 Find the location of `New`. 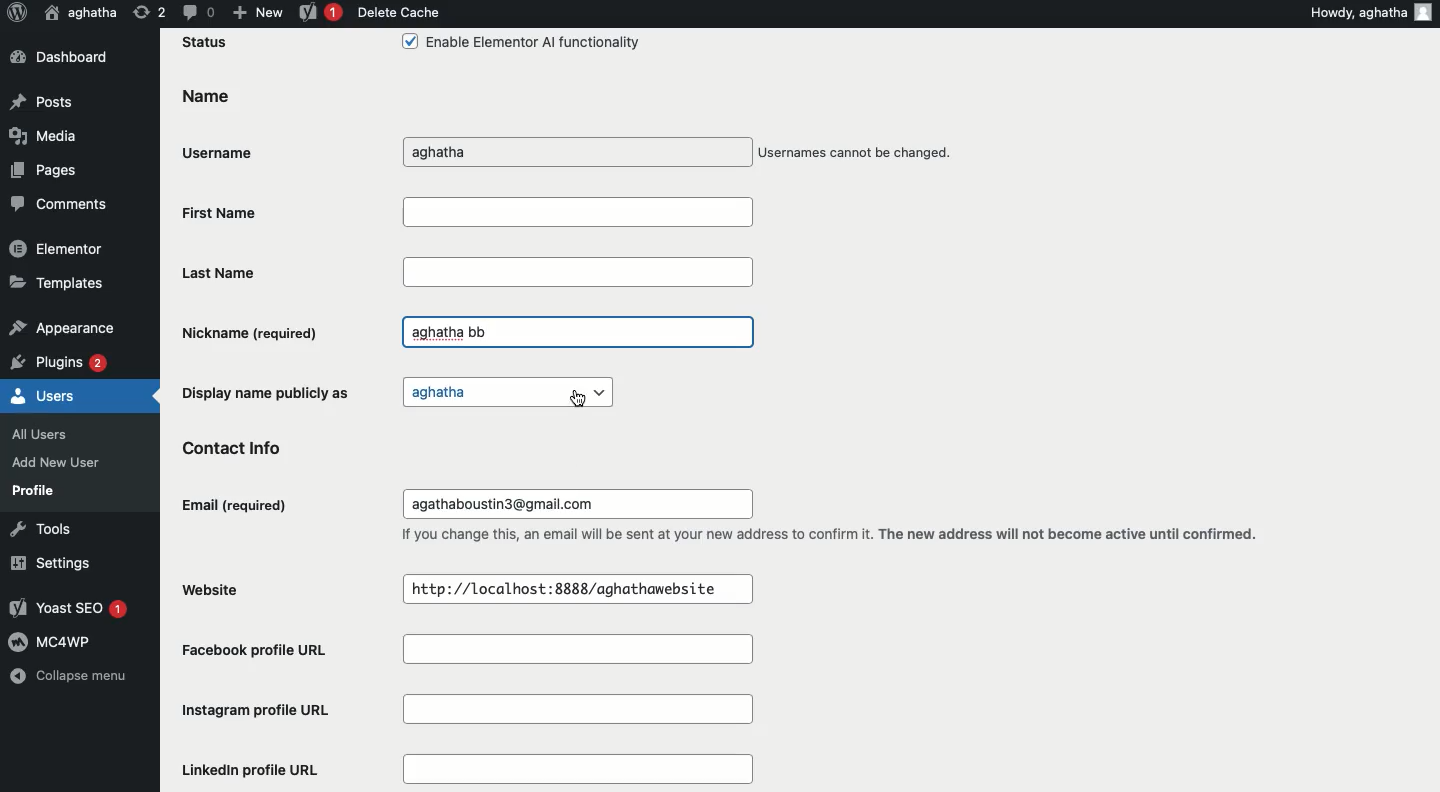

New is located at coordinates (257, 11).